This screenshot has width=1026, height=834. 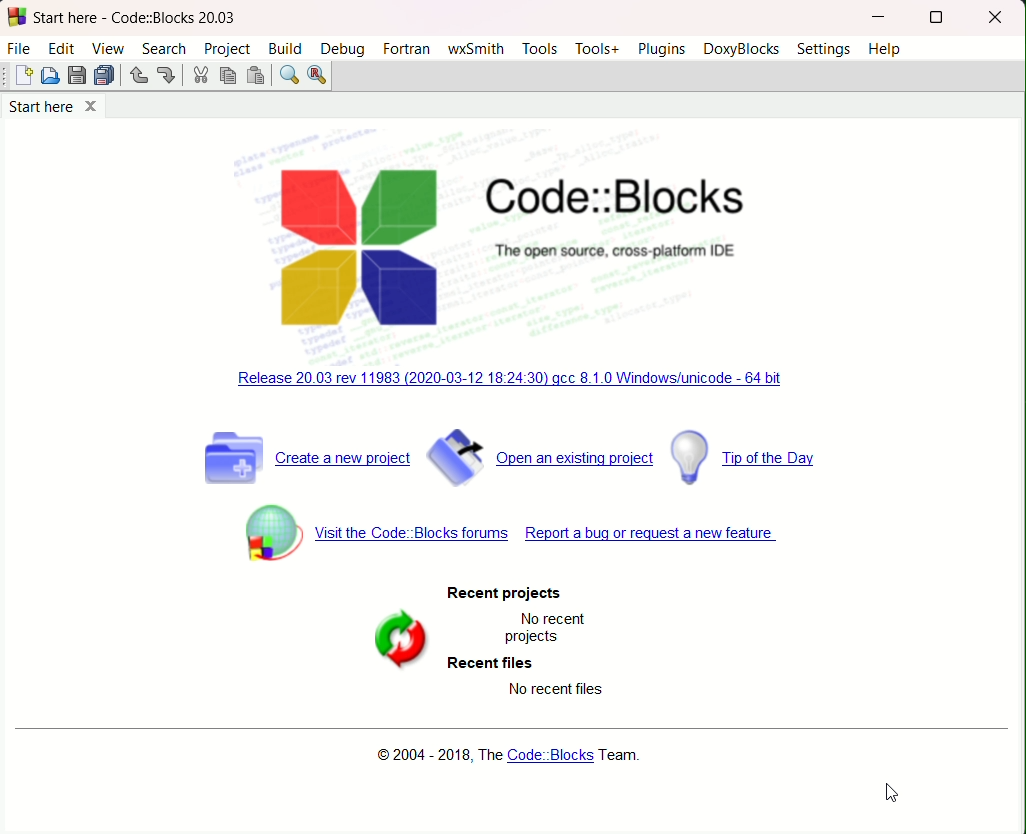 What do you see at coordinates (199, 77) in the screenshot?
I see `cut` at bounding box center [199, 77].